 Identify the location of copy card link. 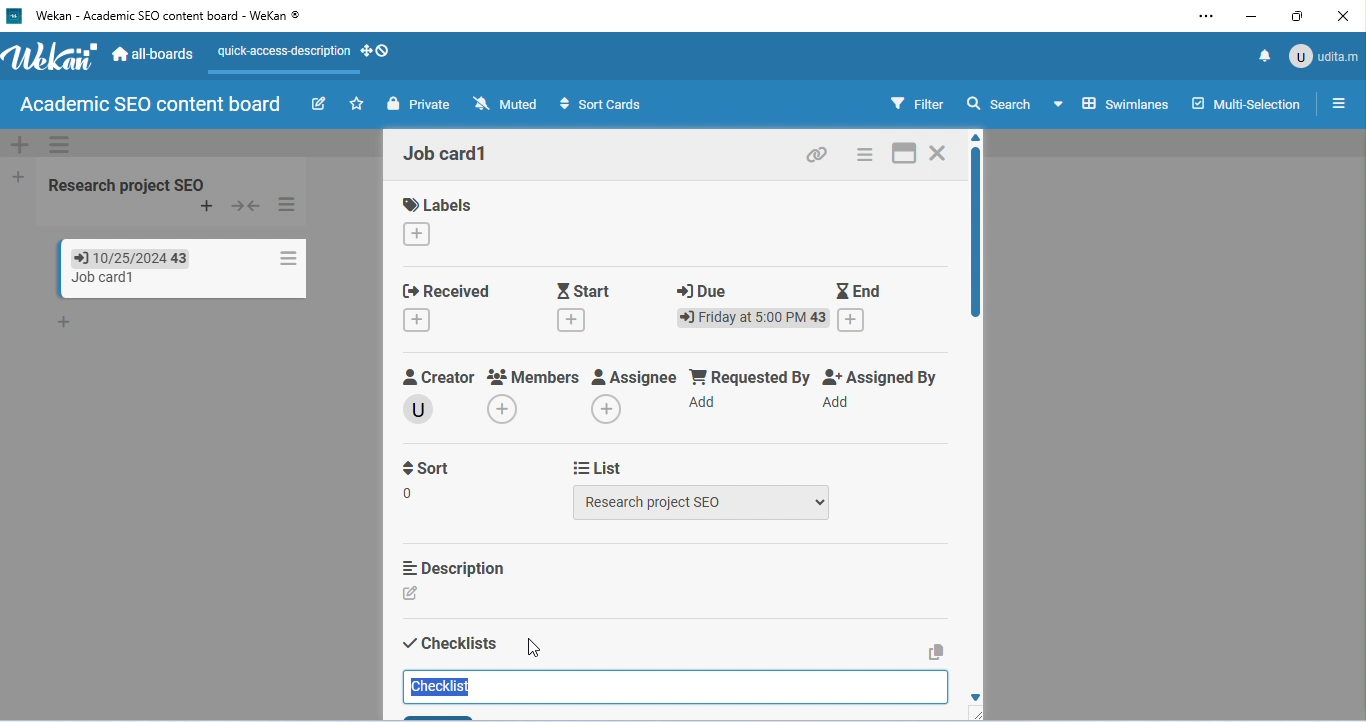
(817, 156).